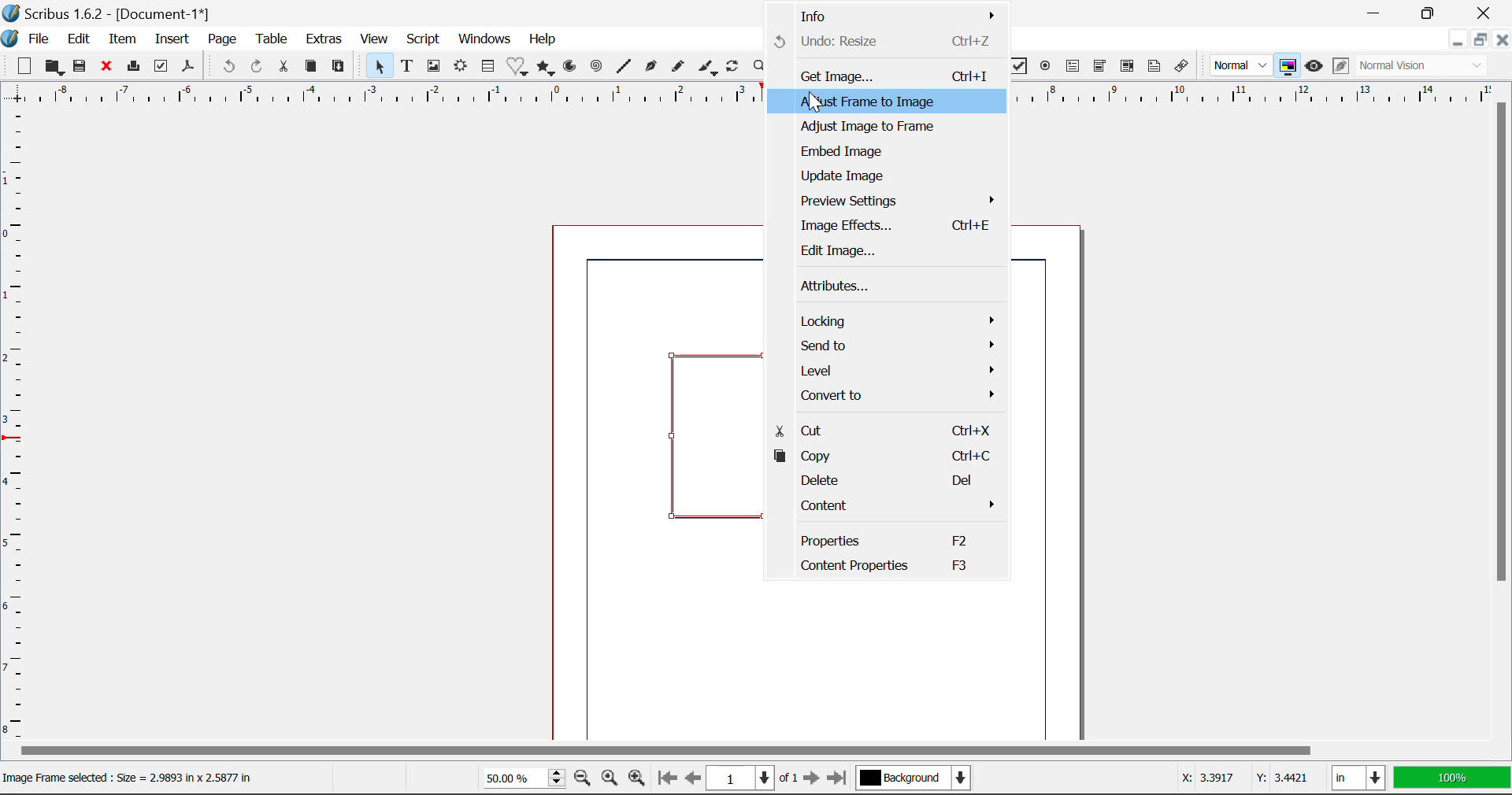 The width and height of the screenshot is (1512, 795). I want to click on Image Effects, so click(889, 227).